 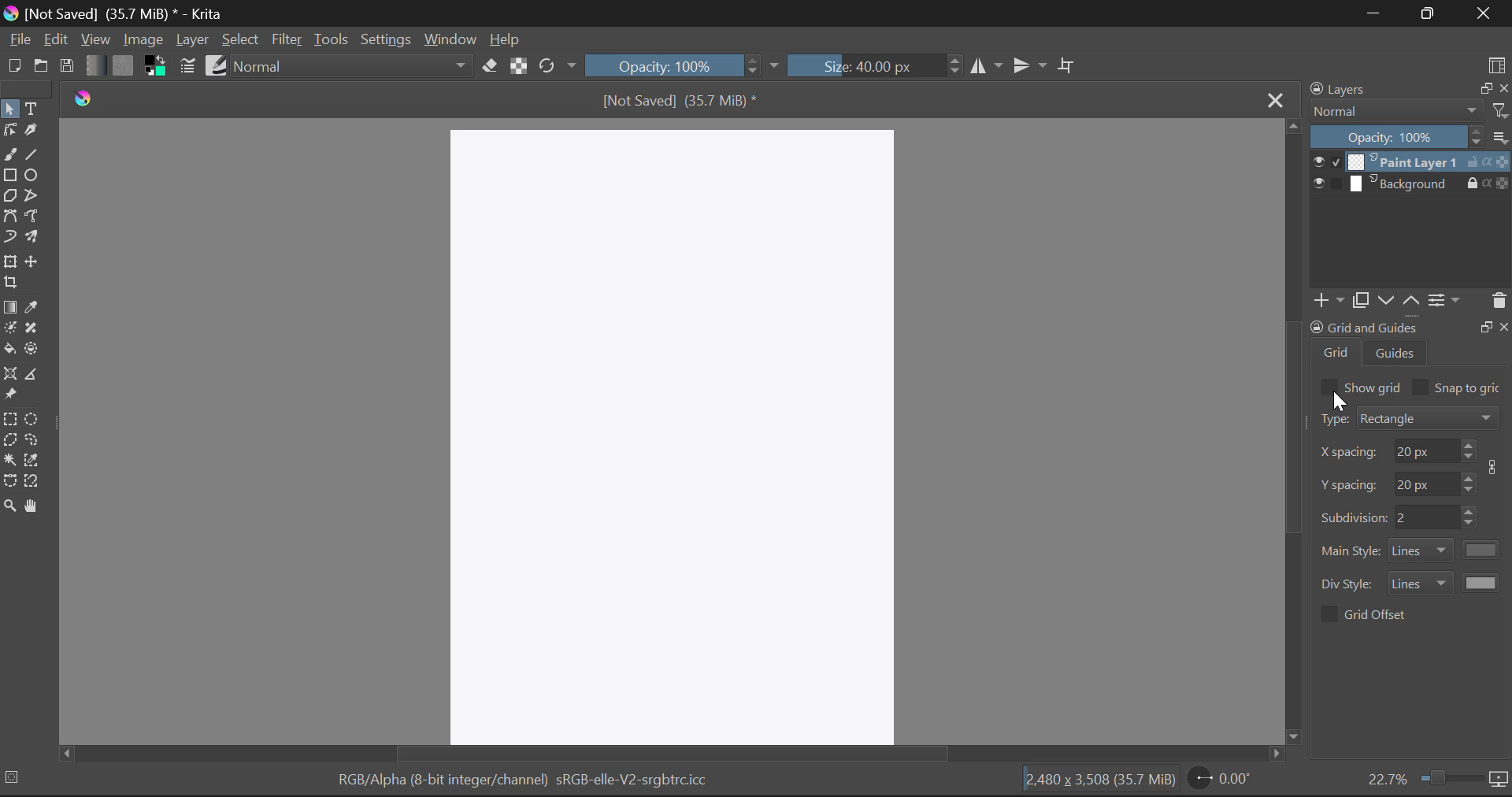 What do you see at coordinates (1496, 64) in the screenshot?
I see `Choose Workspace` at bounding box center [1496, 64].